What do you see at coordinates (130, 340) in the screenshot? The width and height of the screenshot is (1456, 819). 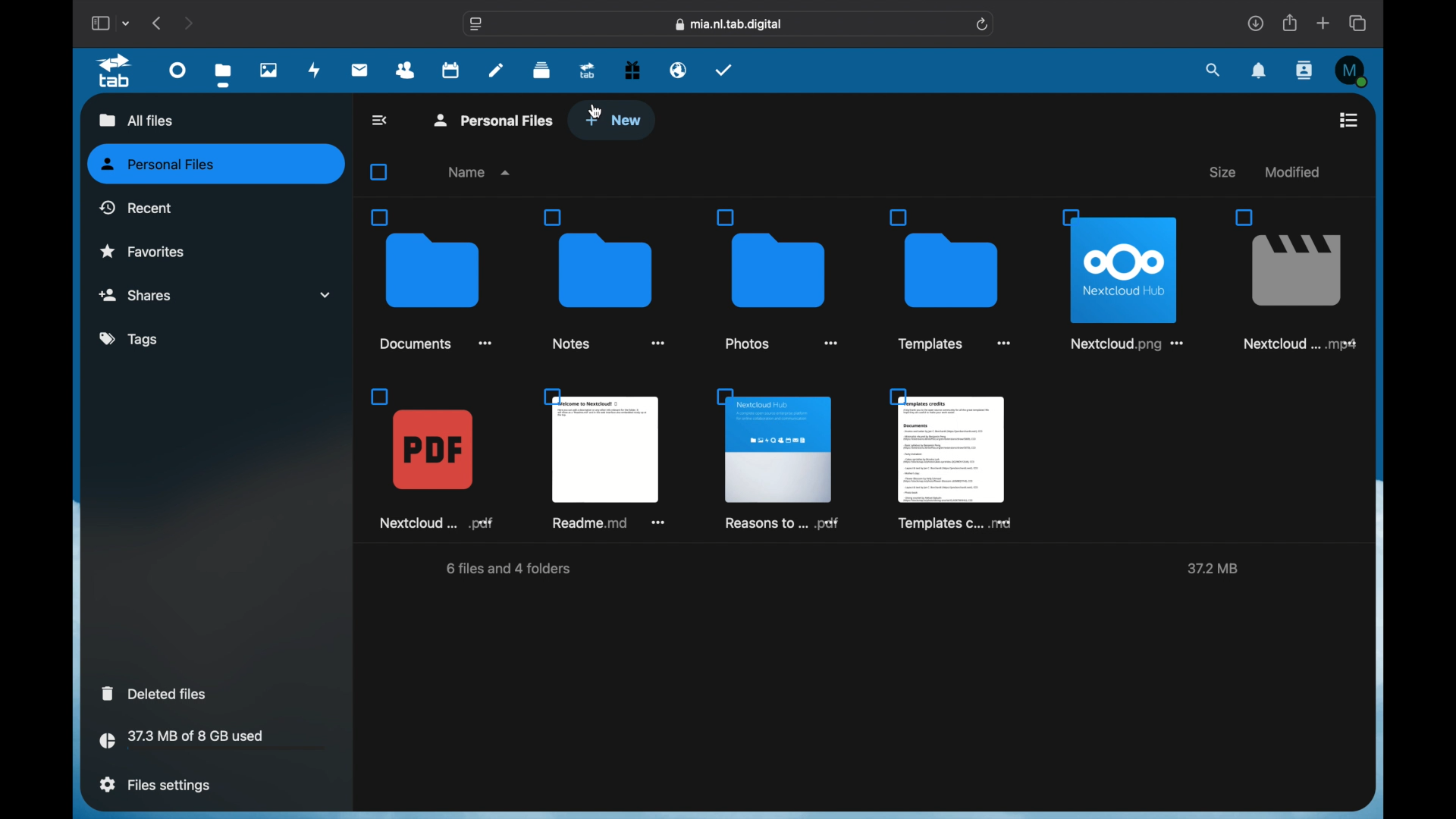 I see `tags` at bounding box center [130, 340].